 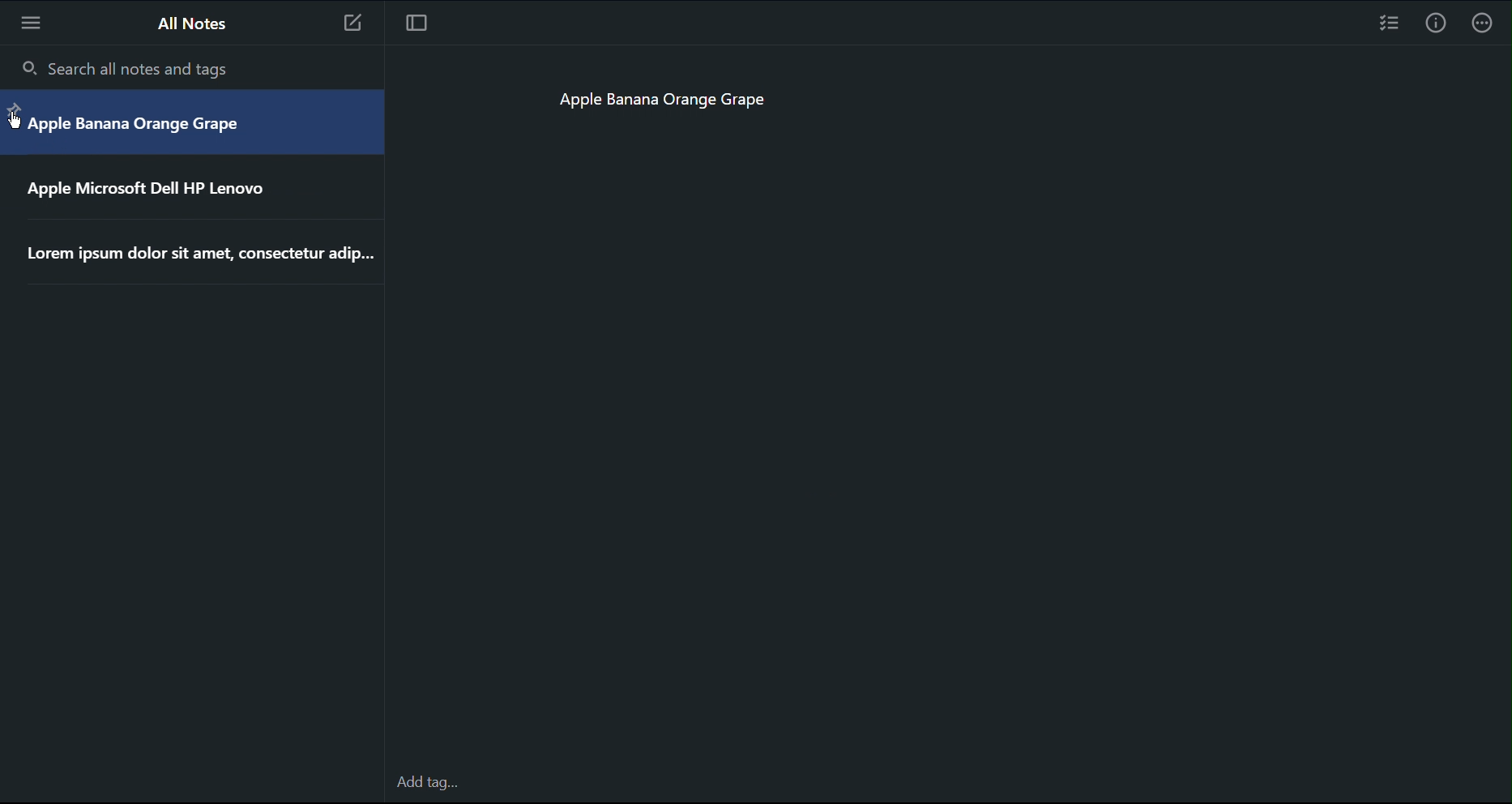 What do you see at coordinates (198, 254) in the screenshot?
I see `Lorem ipsum dolor sit amet, consectetur adip...` at bounding box center [198, 254].